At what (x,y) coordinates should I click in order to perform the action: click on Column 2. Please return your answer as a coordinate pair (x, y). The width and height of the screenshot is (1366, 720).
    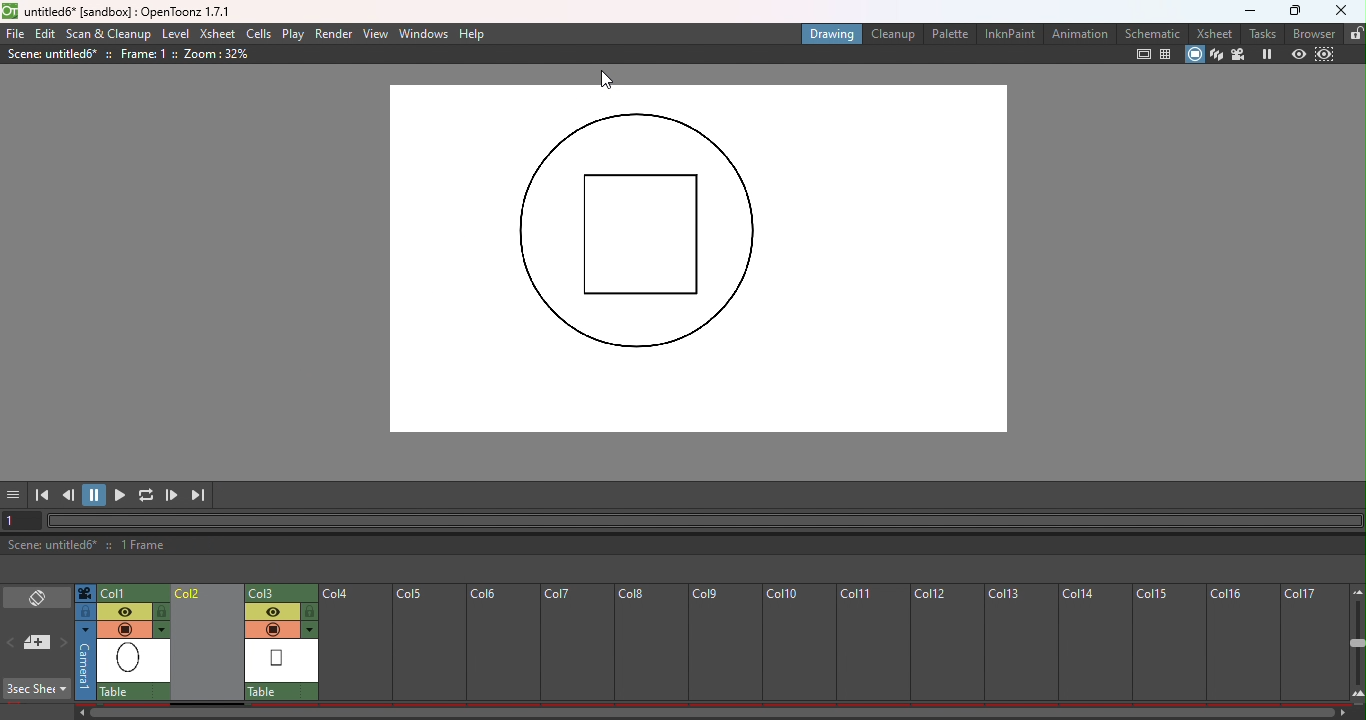
    Looking at the image, I should click on (208, 644).